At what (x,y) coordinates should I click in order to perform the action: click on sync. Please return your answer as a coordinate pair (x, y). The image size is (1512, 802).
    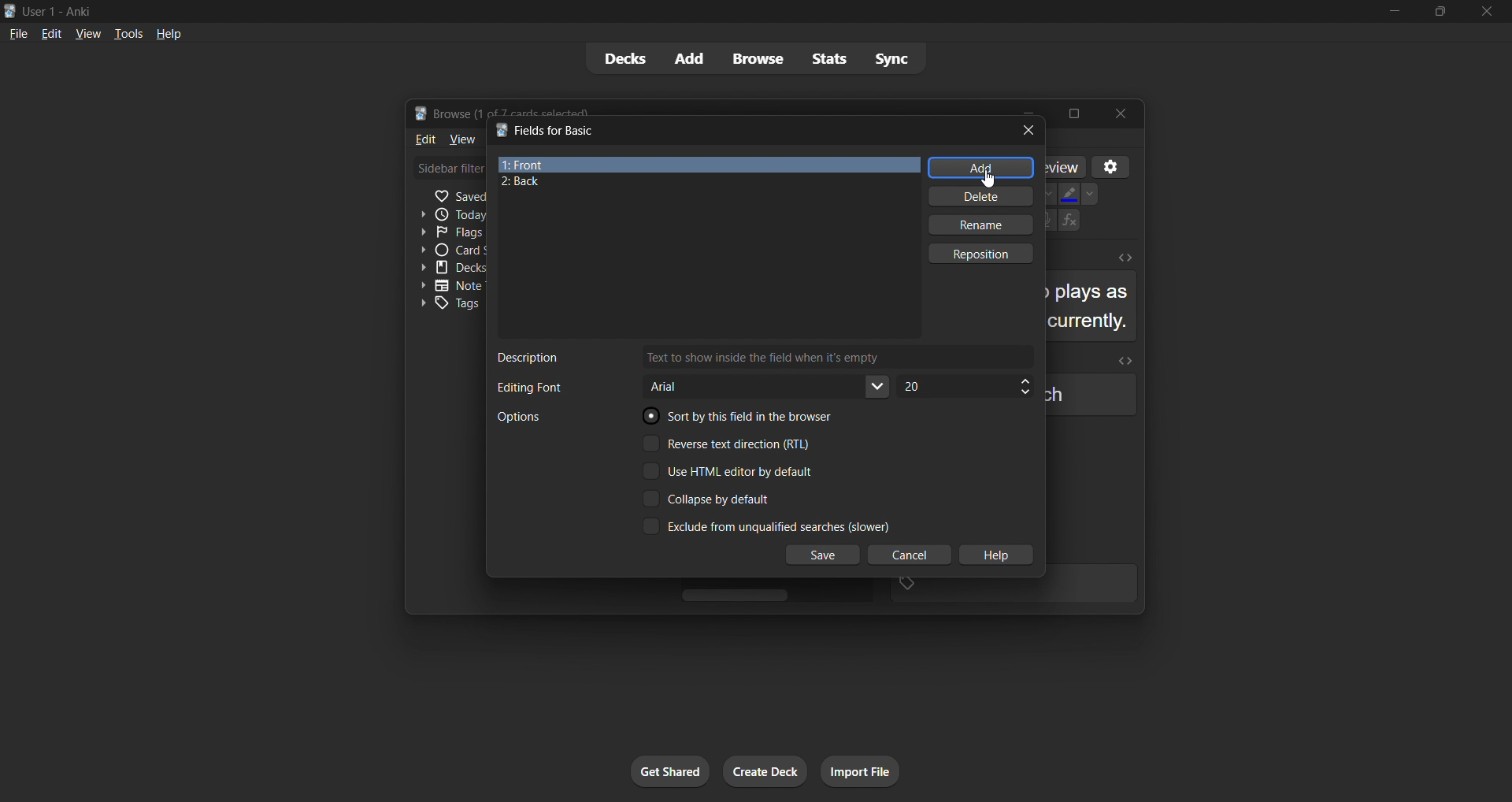
    Looking at the image, I should click on (896, 58).